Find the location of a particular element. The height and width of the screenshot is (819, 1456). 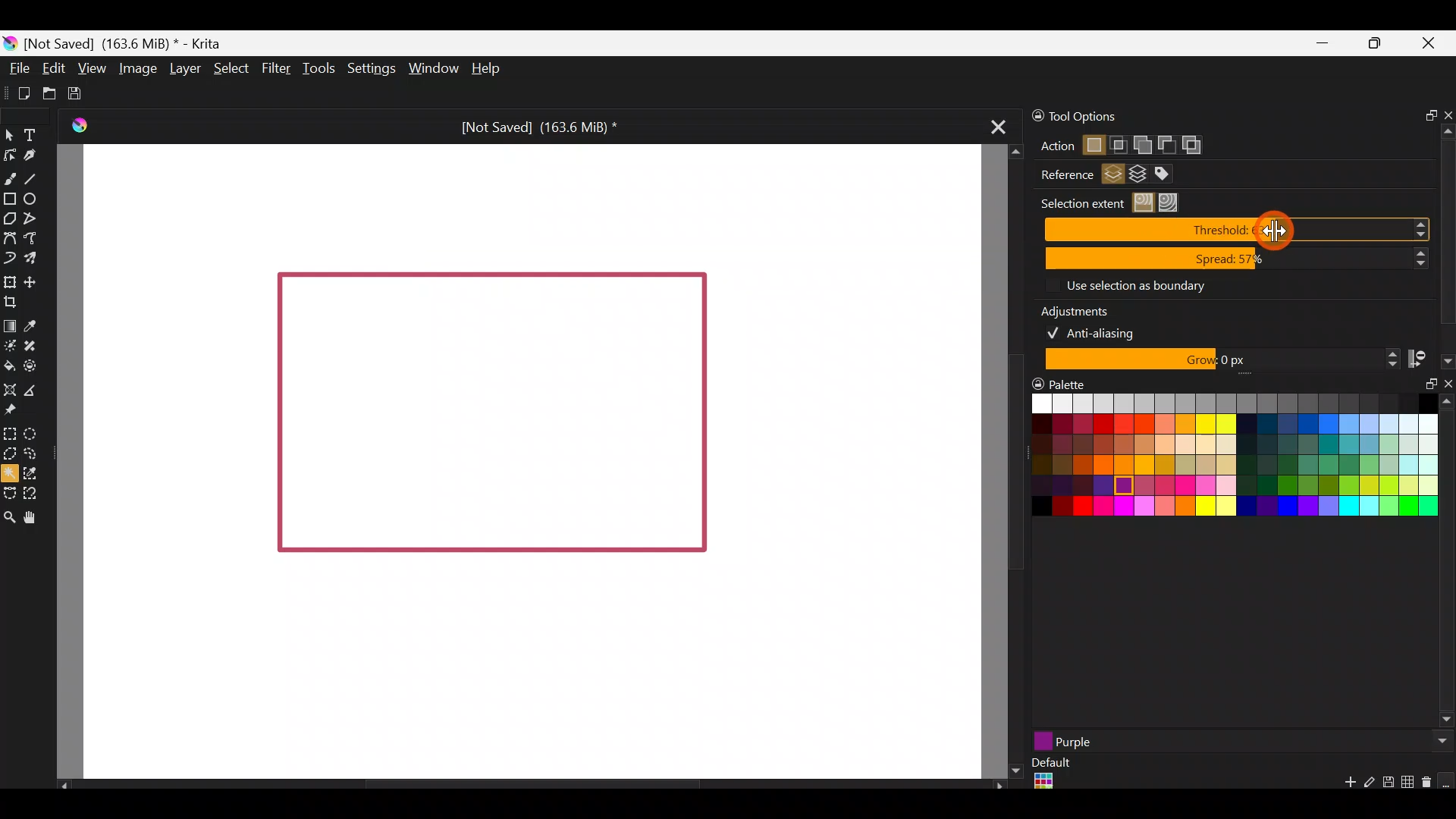

Enclose & fill tool is located at coordinates (36, 366).